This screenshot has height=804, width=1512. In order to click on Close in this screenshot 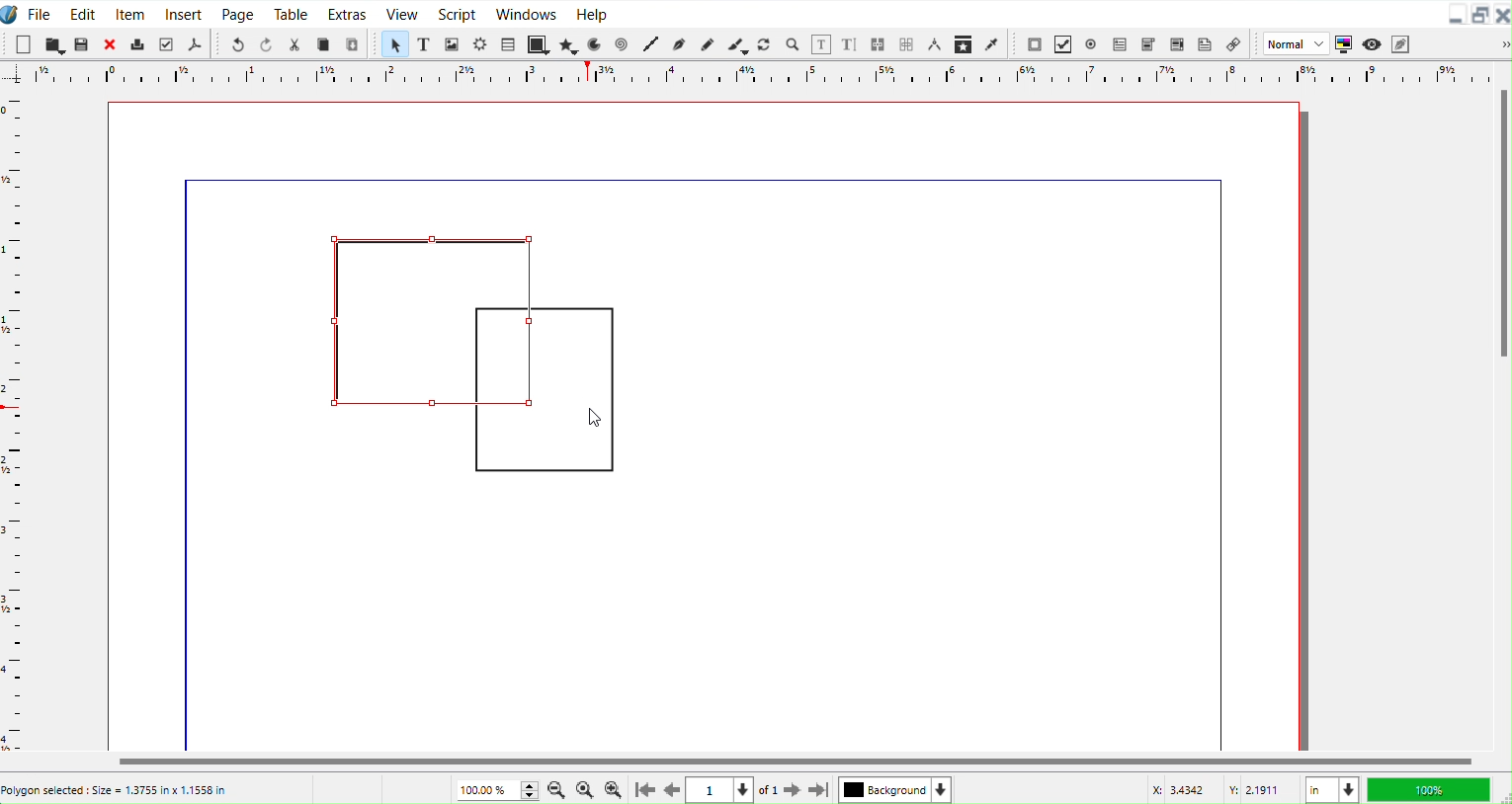, I will do `click(1502, 15)`.